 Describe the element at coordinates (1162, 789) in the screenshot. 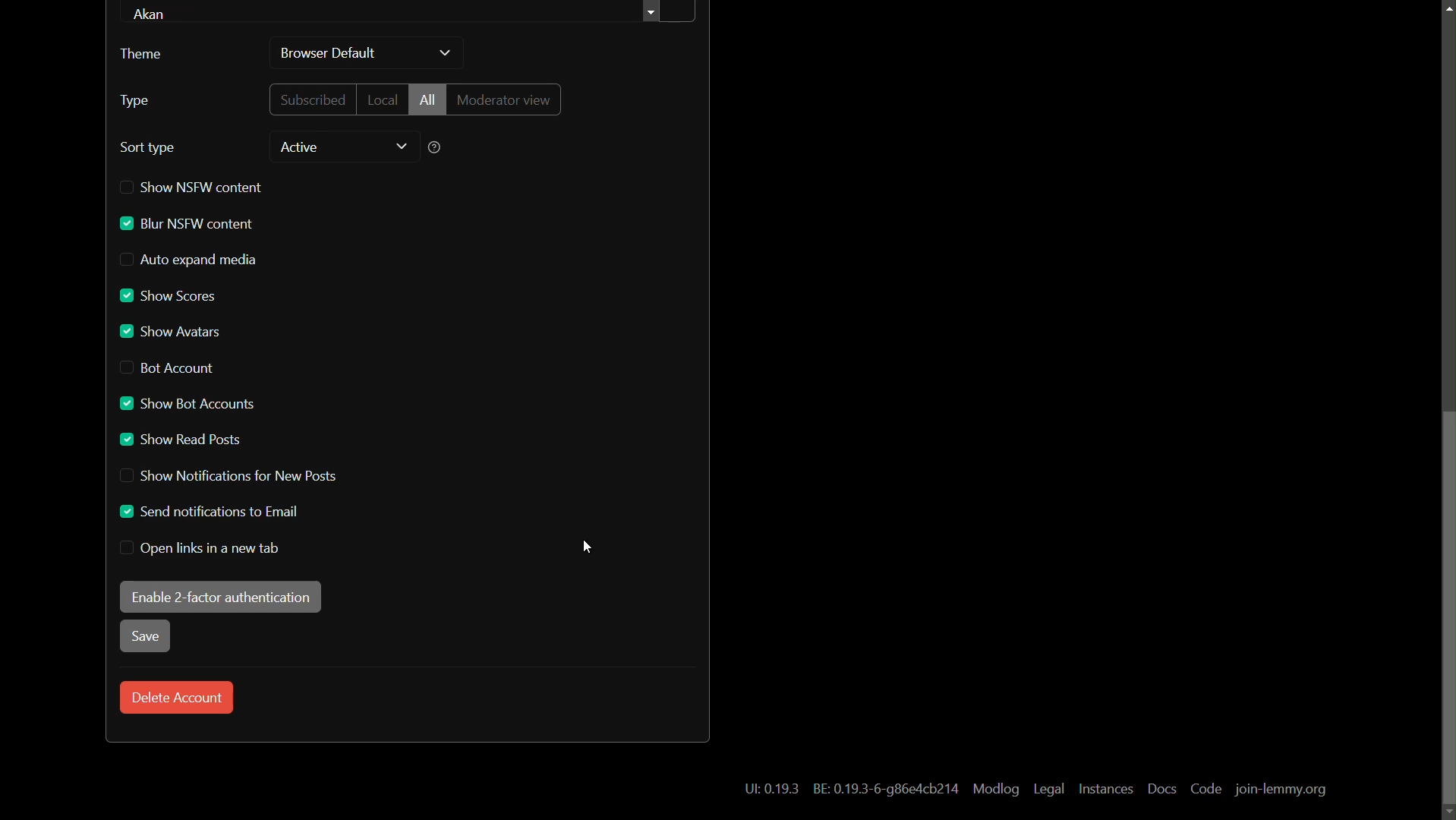

I see `docs` at that location.